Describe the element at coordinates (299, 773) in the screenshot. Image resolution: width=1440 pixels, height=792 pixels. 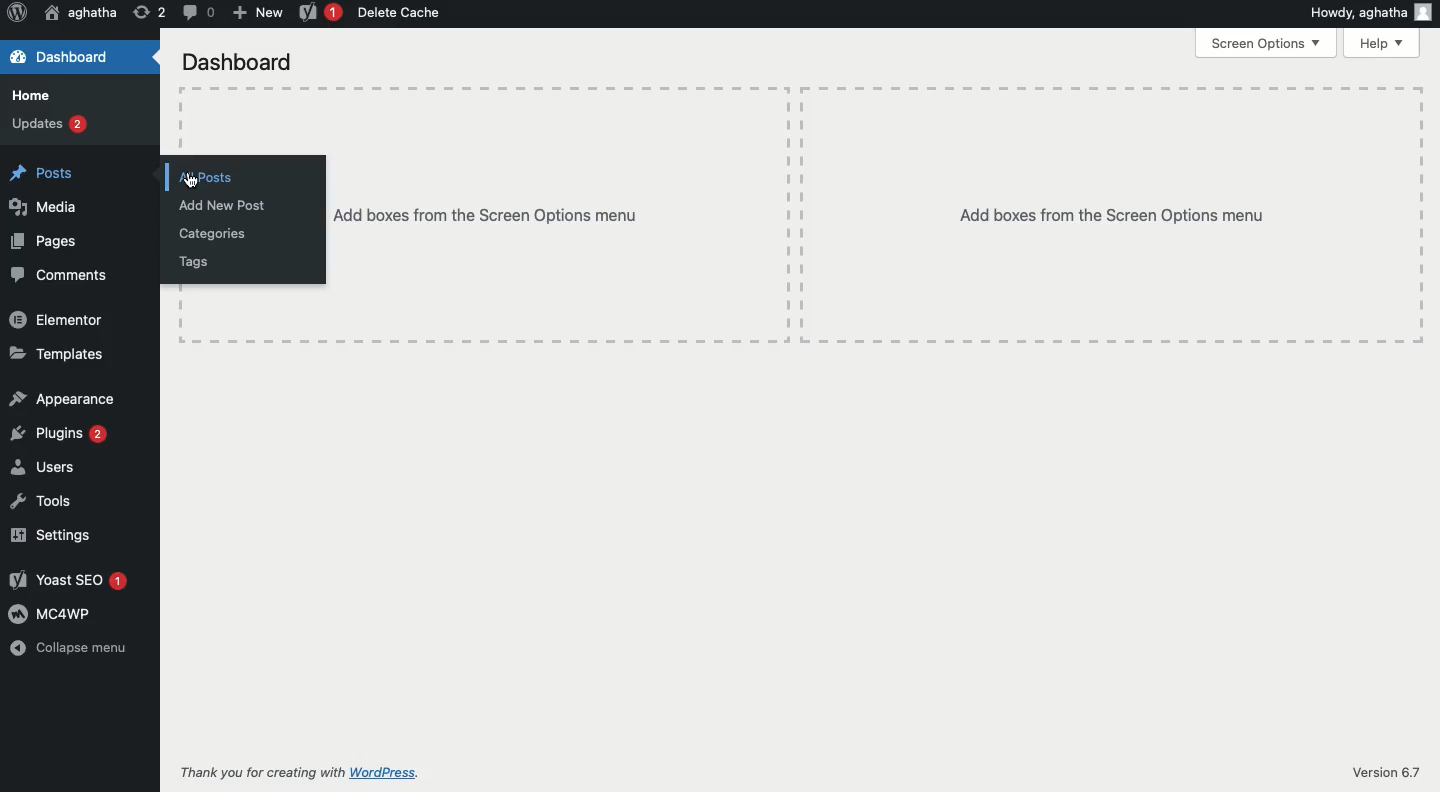
I see `Thank you for creating with WordPress` at that location.